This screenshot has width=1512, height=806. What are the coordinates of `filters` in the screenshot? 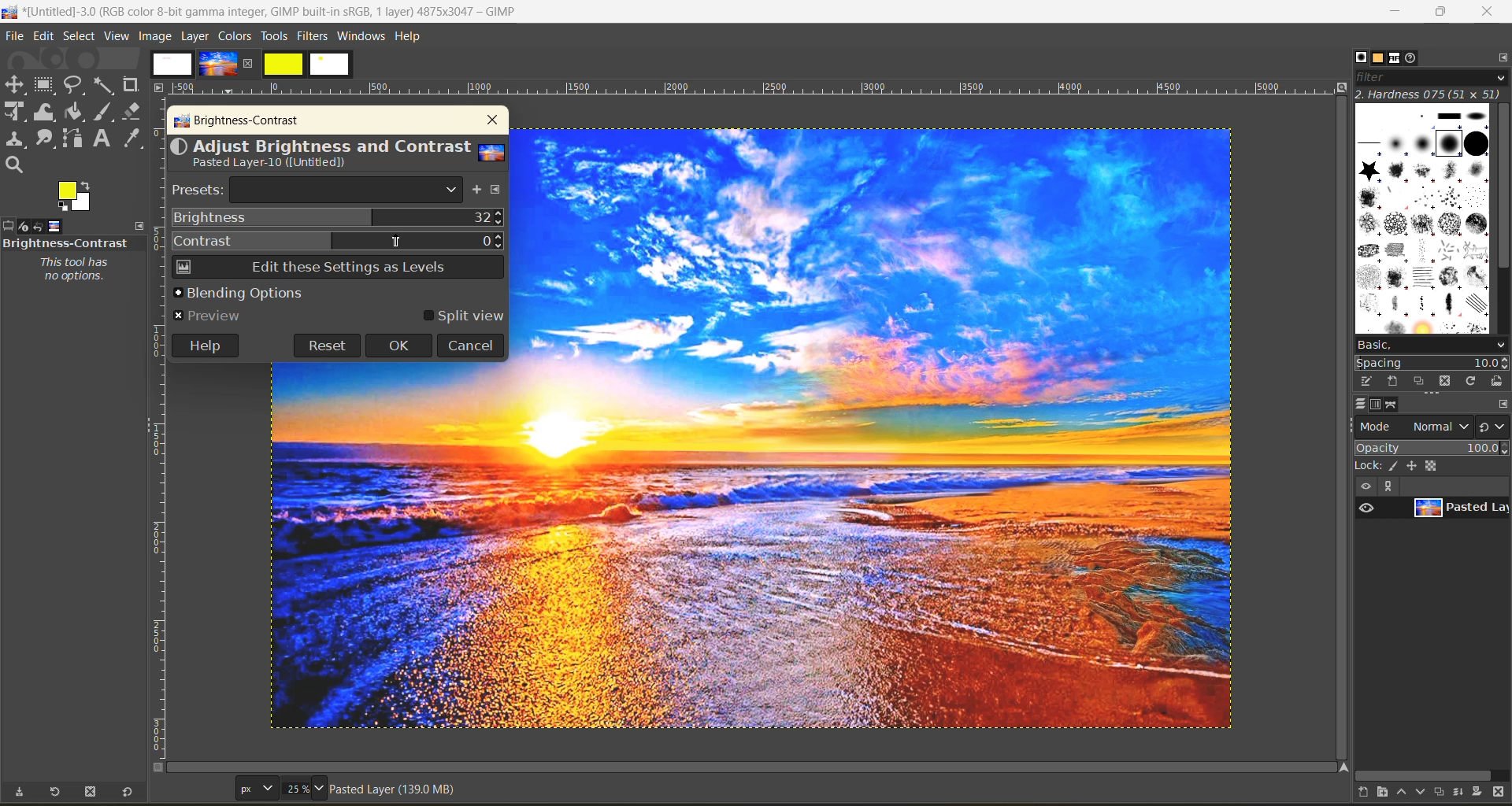 It's located at (314, 35).